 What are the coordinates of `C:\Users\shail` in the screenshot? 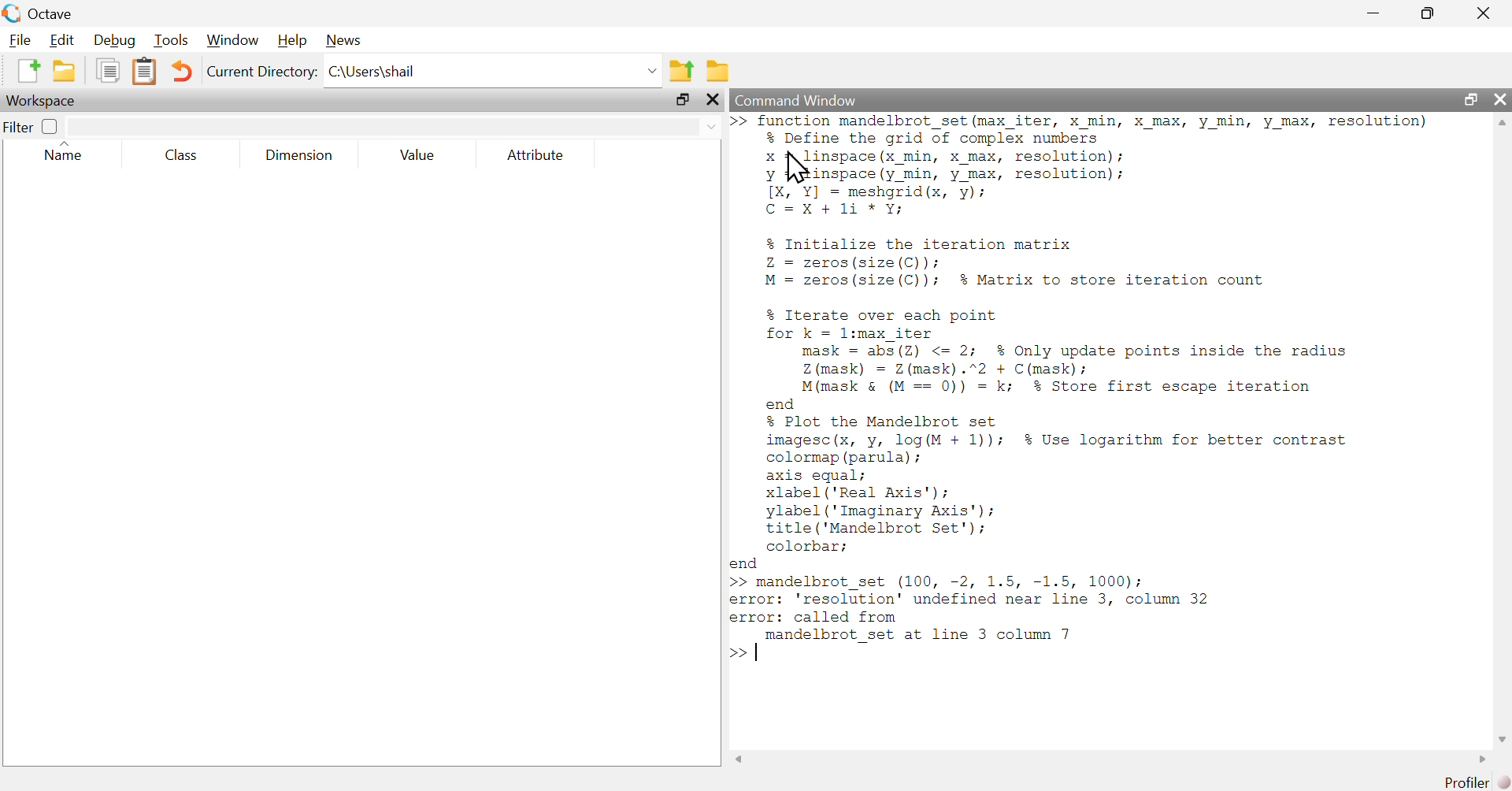 It's located at (493, 71).